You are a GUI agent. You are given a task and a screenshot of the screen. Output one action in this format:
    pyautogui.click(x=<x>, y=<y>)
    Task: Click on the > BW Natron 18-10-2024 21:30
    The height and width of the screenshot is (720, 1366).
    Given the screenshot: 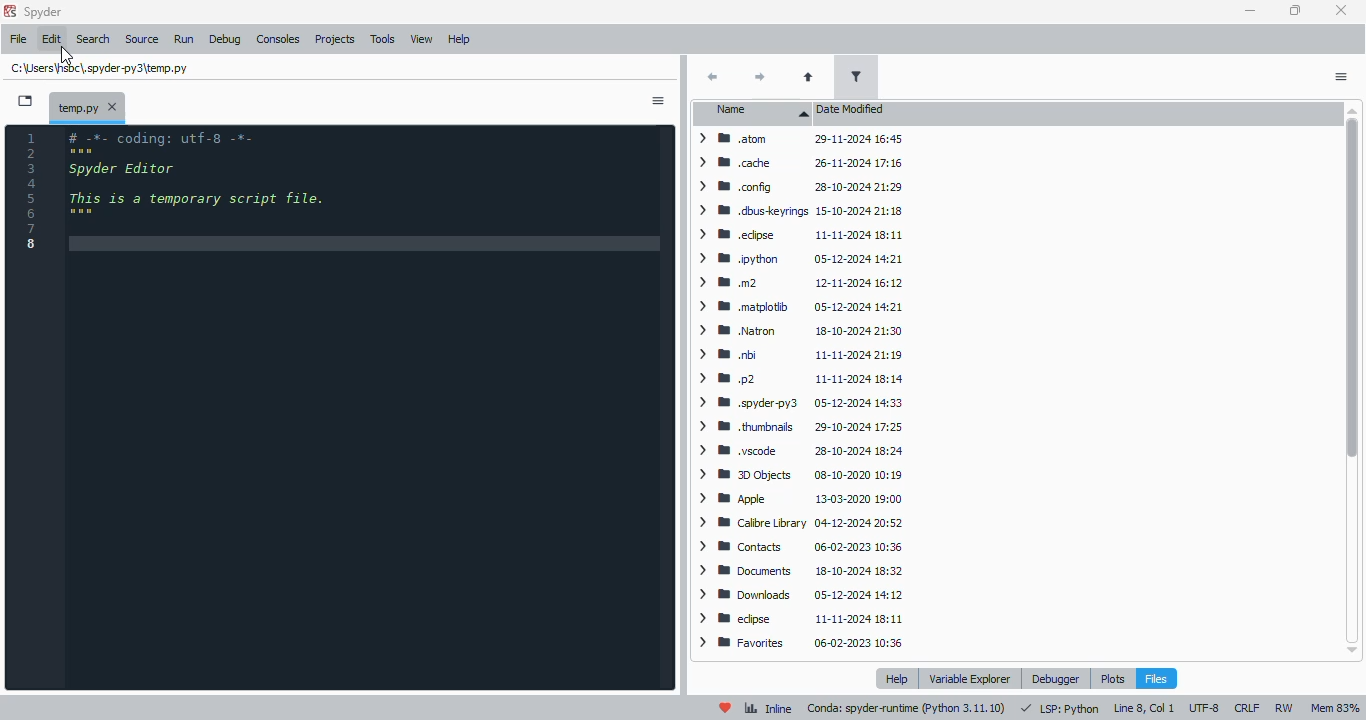 What is the action you would take?
    pyautogui.click(x=797, y=331)
    